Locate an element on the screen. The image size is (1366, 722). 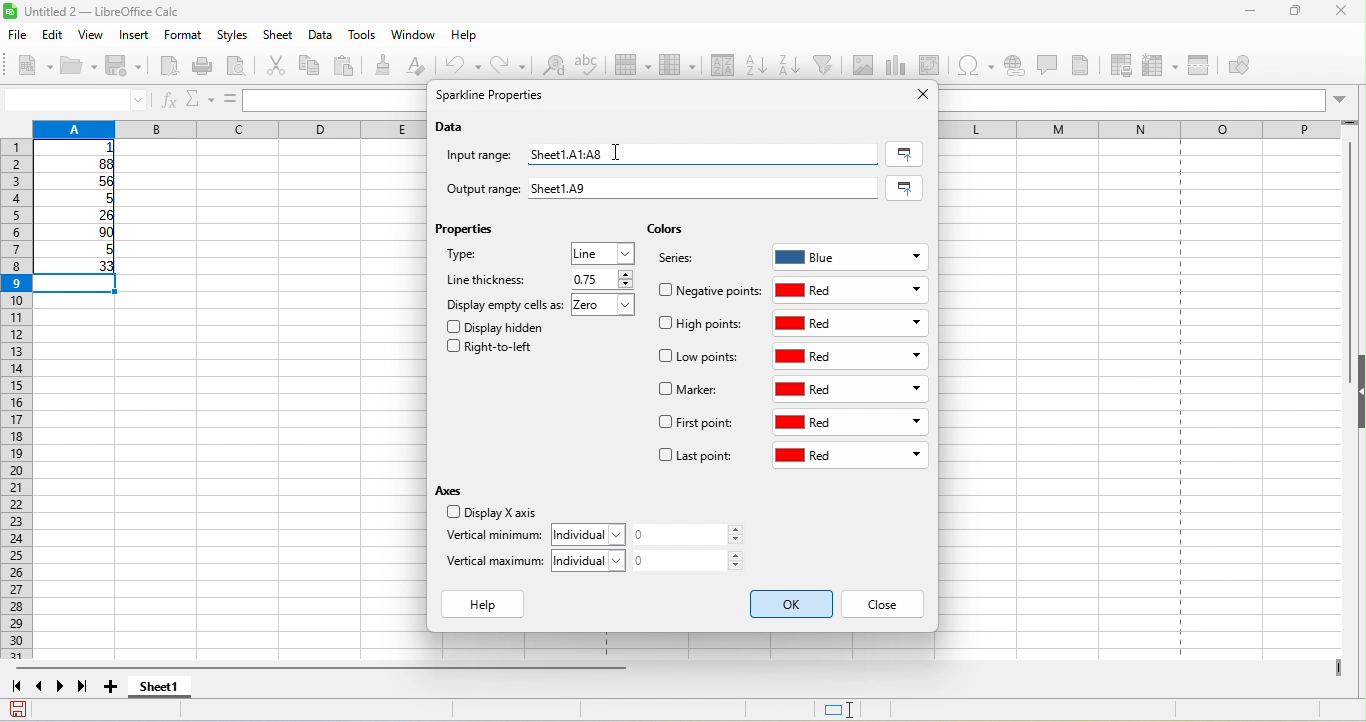
sheet 1 a1:a8 is located at coordinates (705, 155).